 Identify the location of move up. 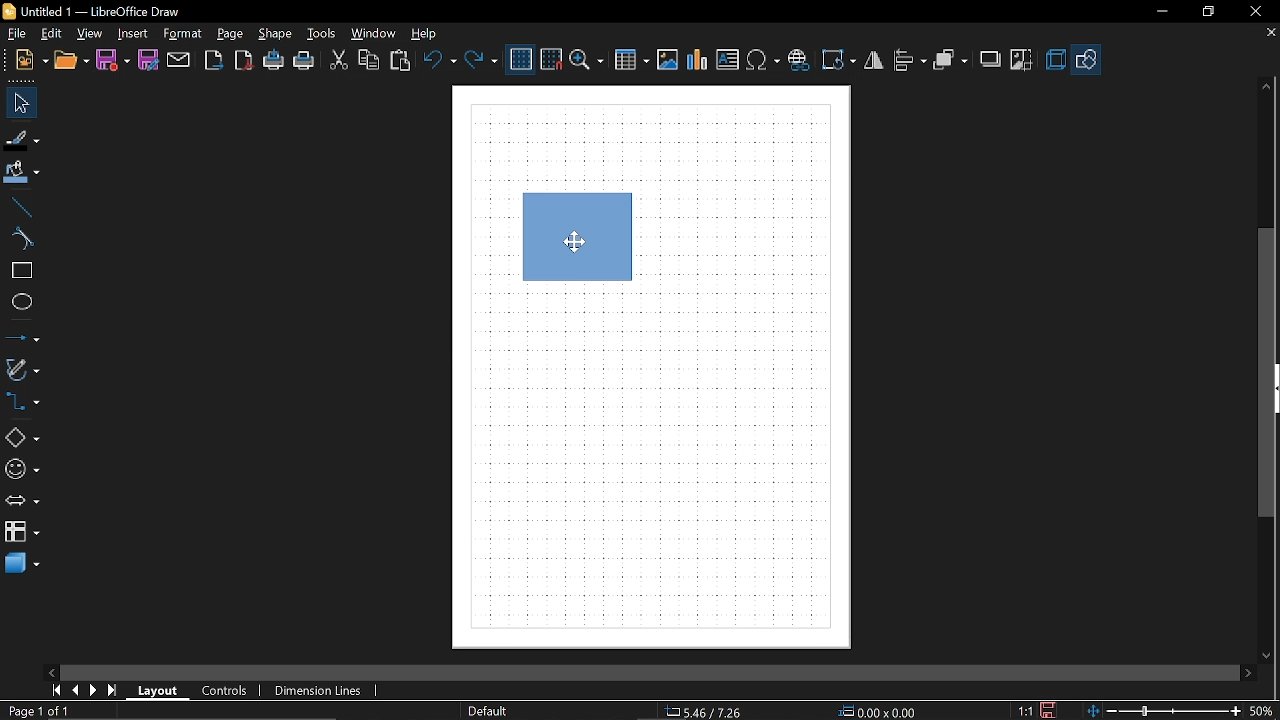
(1263, 88).